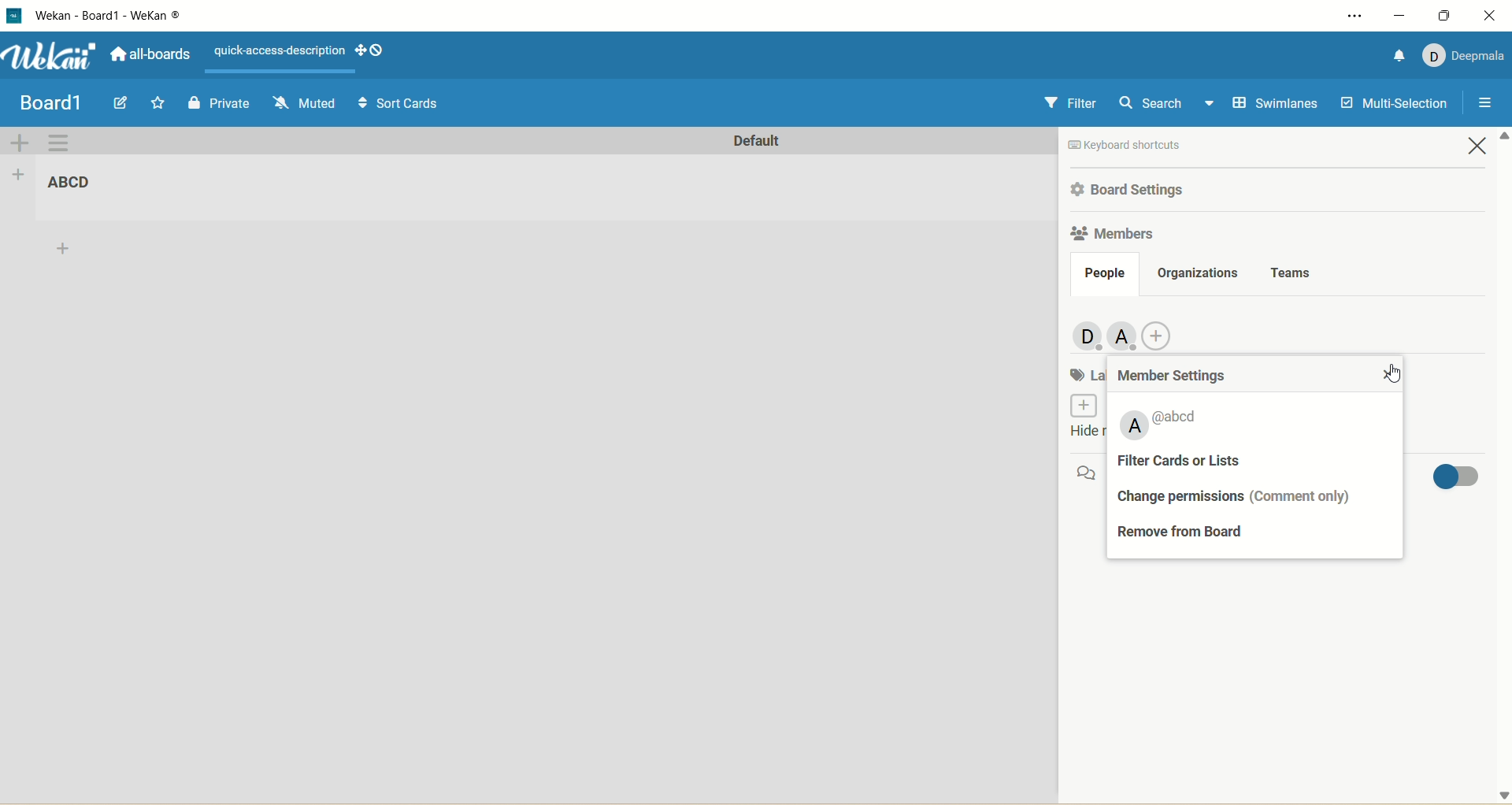  Describe the element at coordinates (1165, 105) in the screenshot. I see `search` at that location.